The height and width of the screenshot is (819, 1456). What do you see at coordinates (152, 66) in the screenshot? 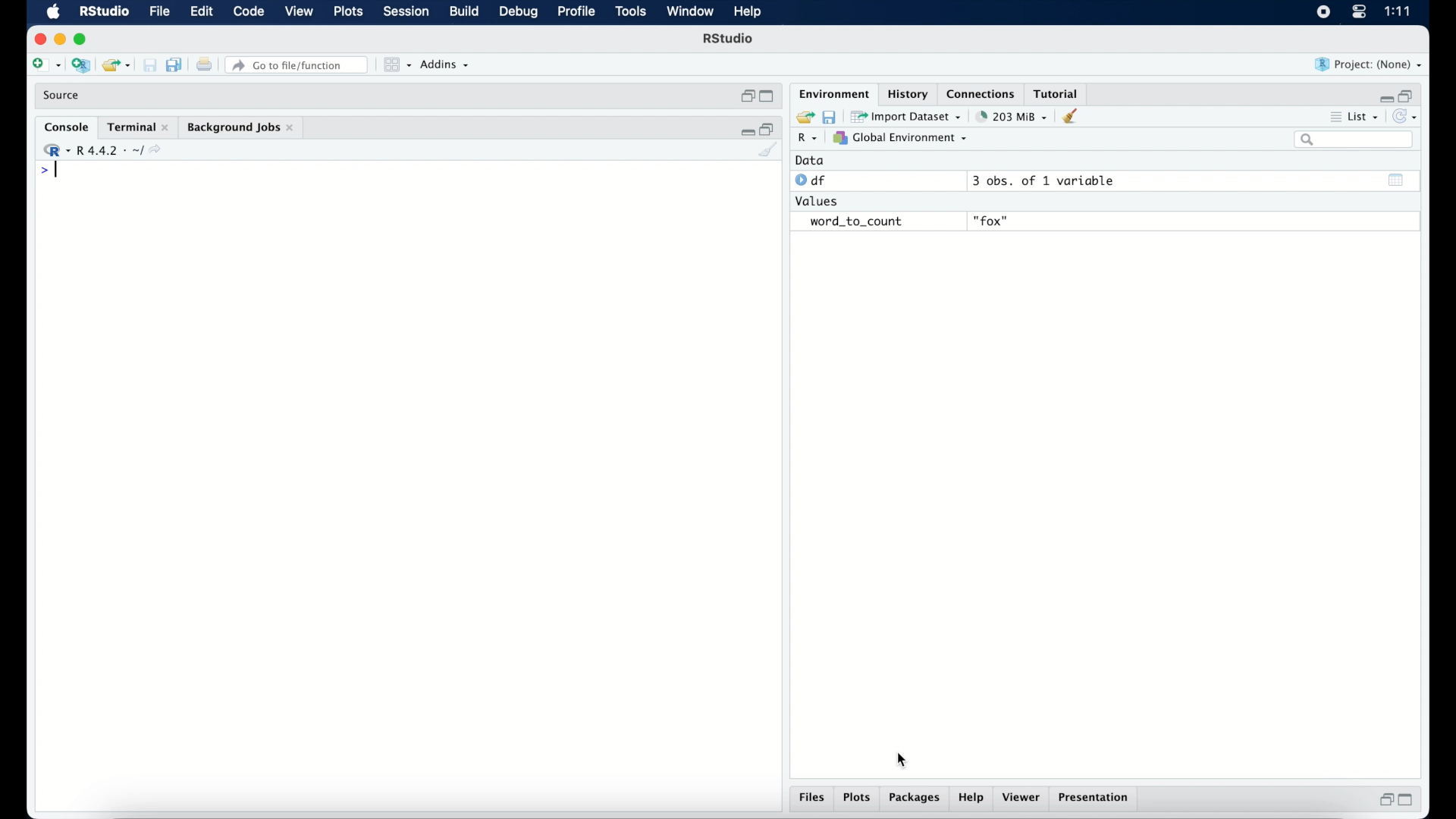
I see `save` at bounding box center [152, 66].